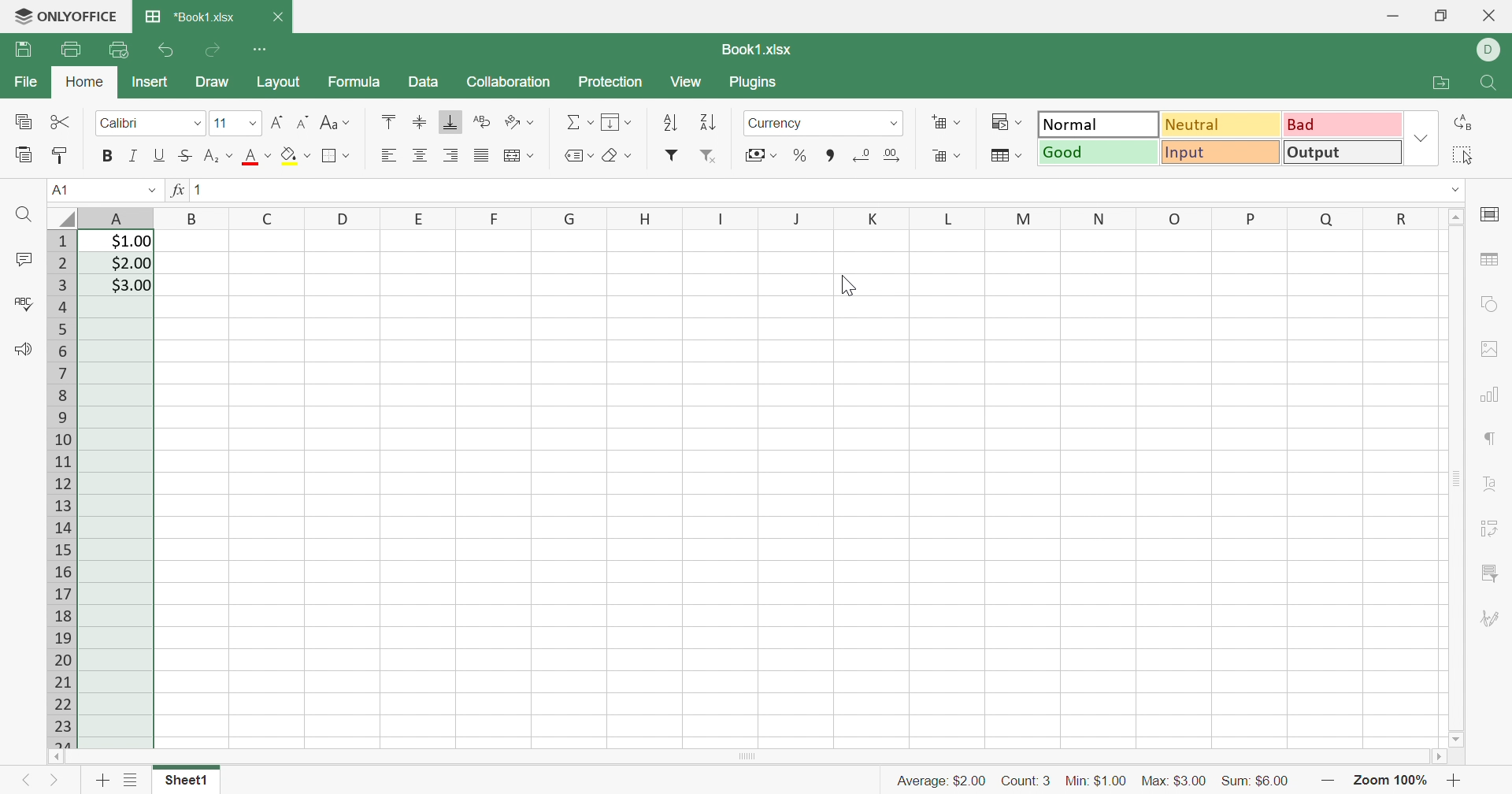  What do you see at coordinates (102, 783) in the screenshot?
I see `Add sheet` at bounding box center [102, 783].